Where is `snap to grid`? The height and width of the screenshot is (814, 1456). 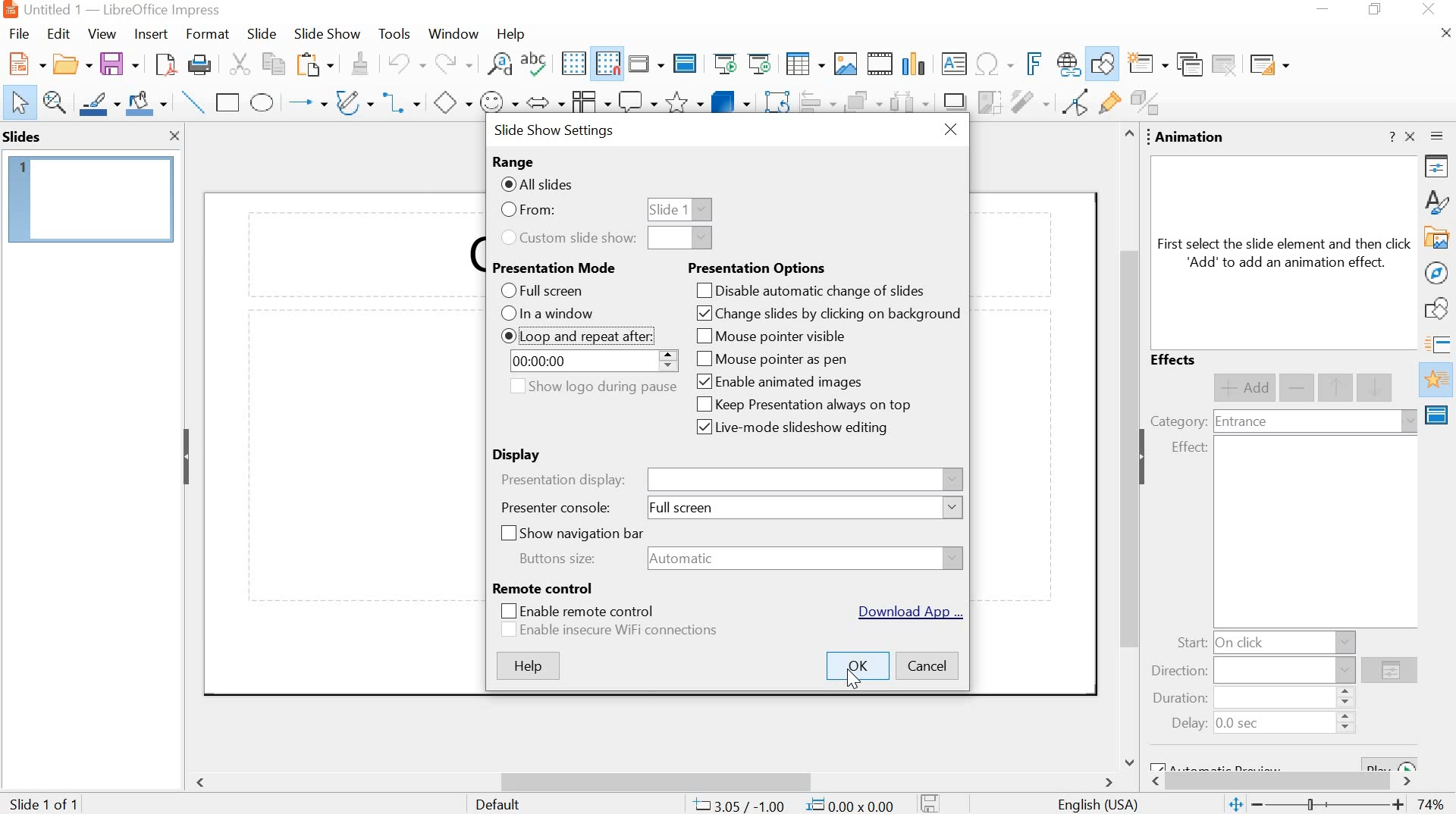
snap to grid is located at coordinates (607, 64).